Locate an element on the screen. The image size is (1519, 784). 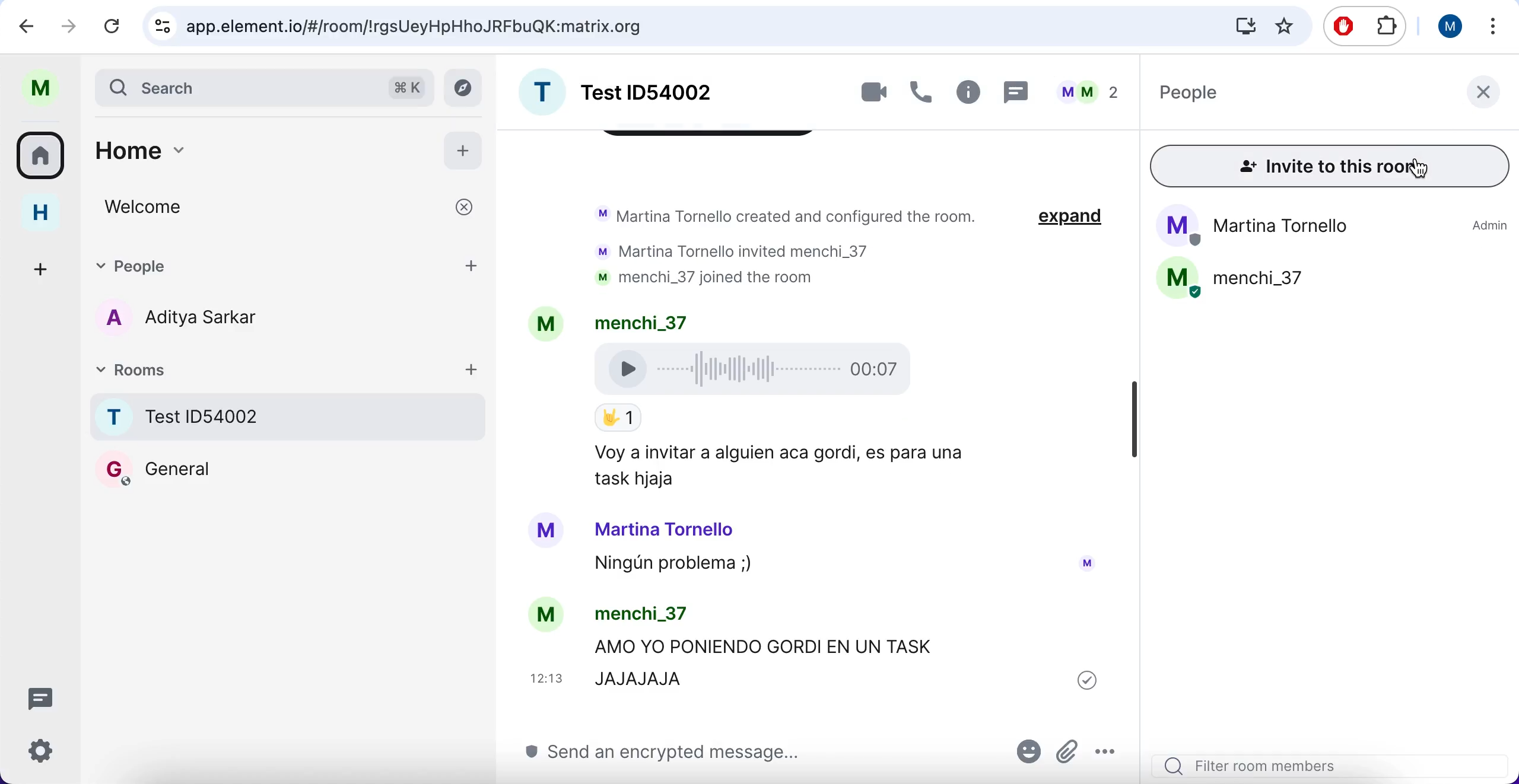
people is located at coordinates (1293, 98).